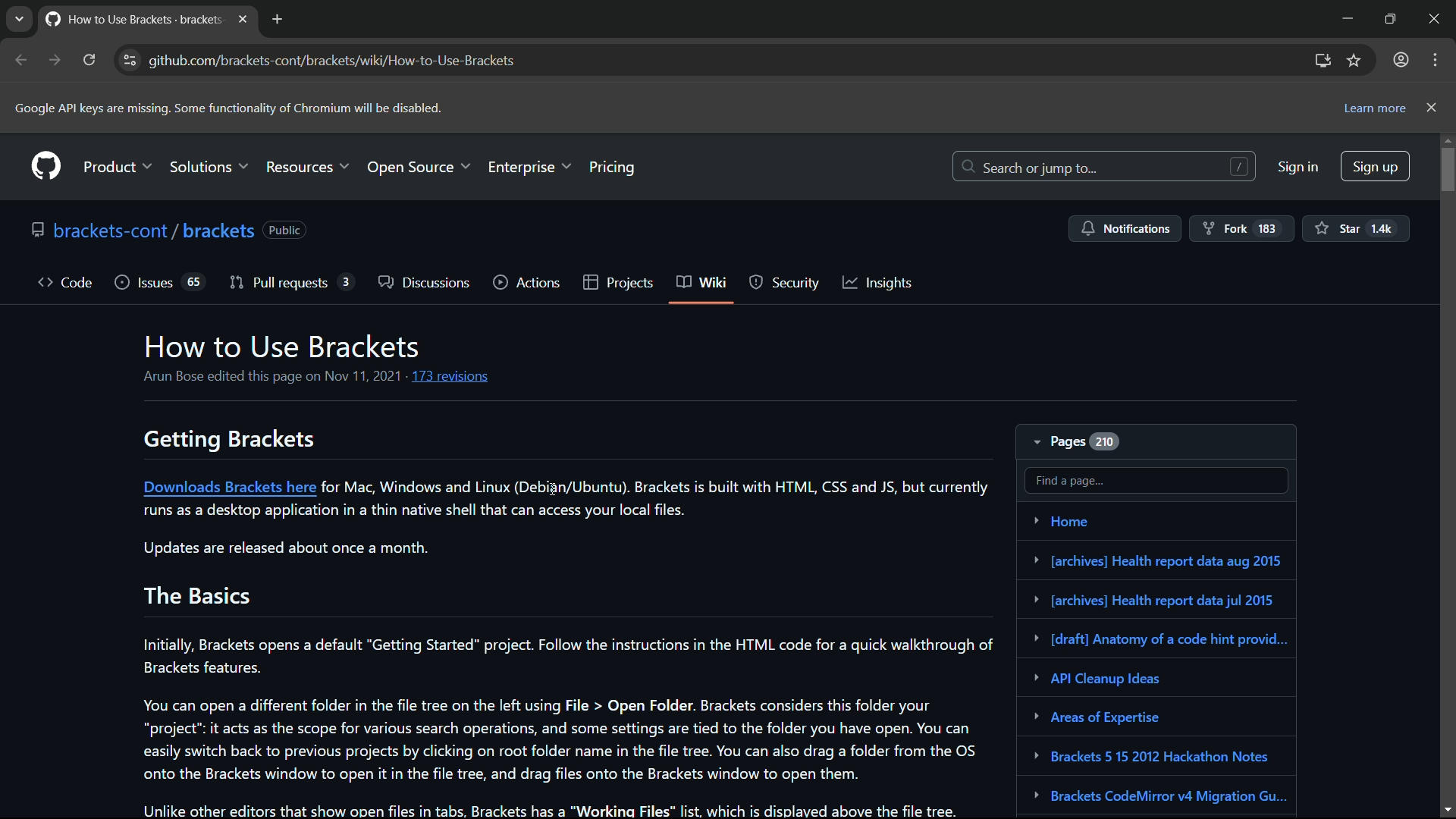 The height and width of the screenshot is (819, 1456). What do you see at coordinates (613, 165) in the screenshot?
I see `pricing` at bounding box center [613, 165].